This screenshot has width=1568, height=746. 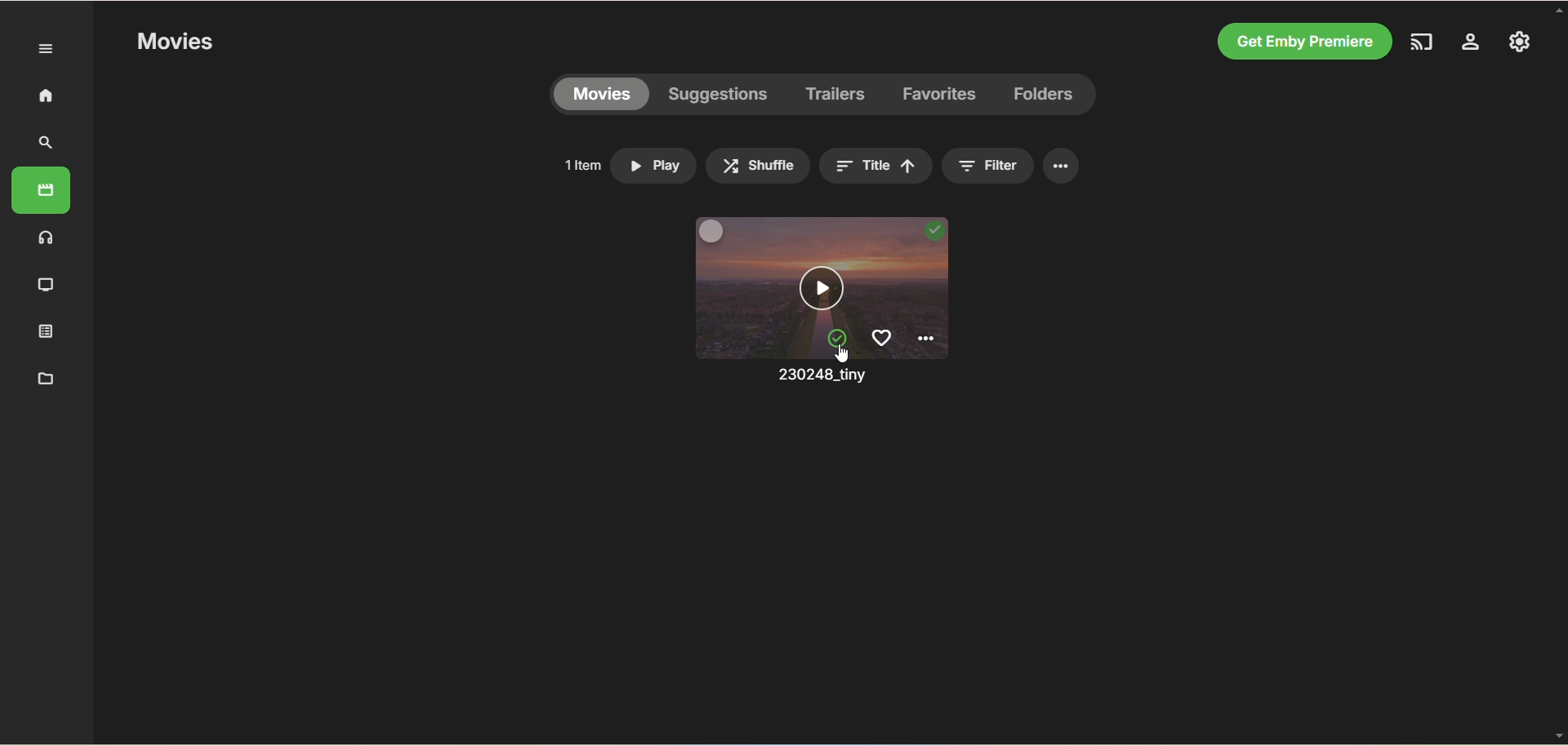 I want to click on shuffle, so click(x=758, y=167).